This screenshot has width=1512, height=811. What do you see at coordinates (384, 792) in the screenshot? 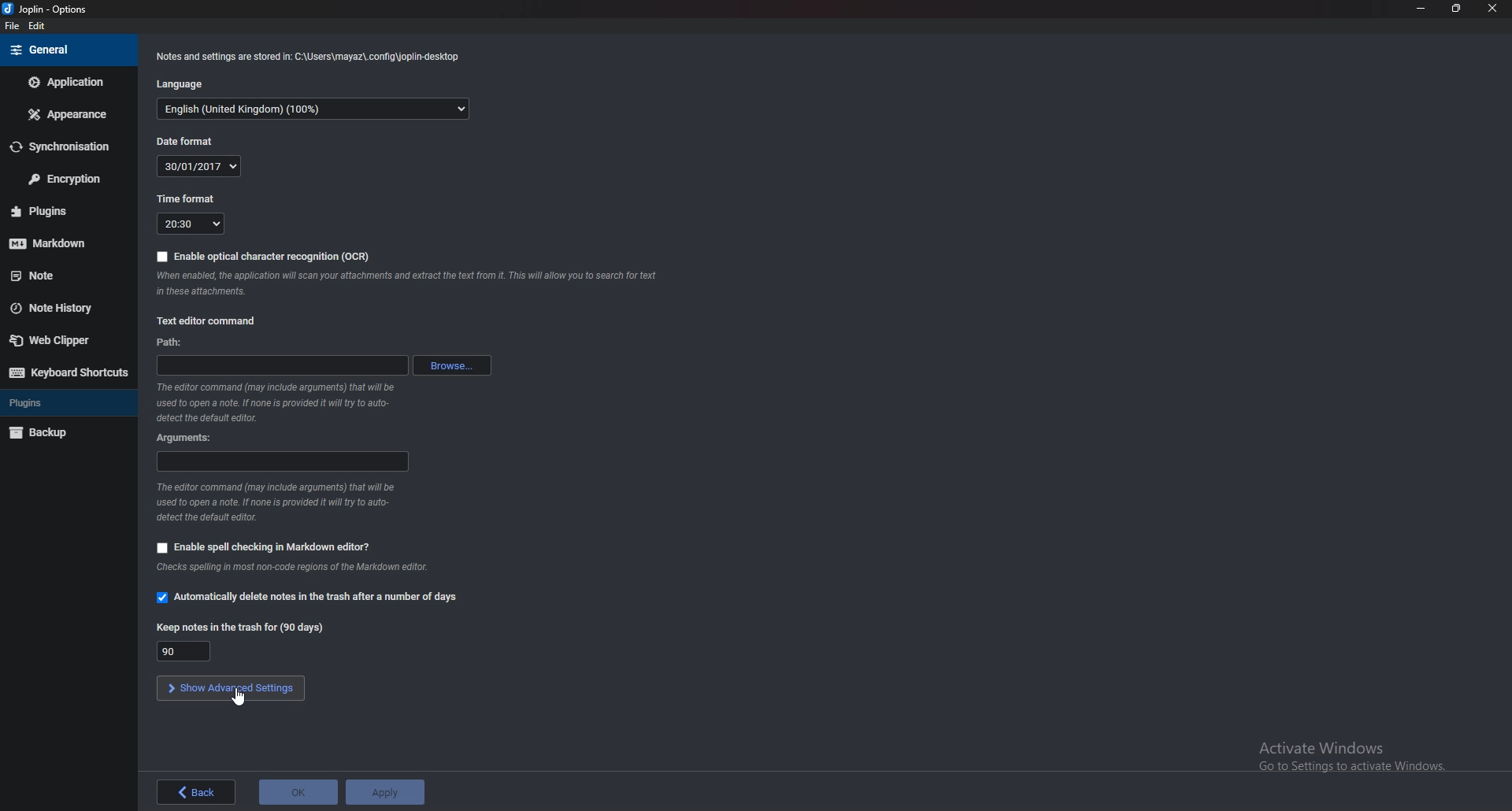
I see `apply` at bounding box center [384, 792].